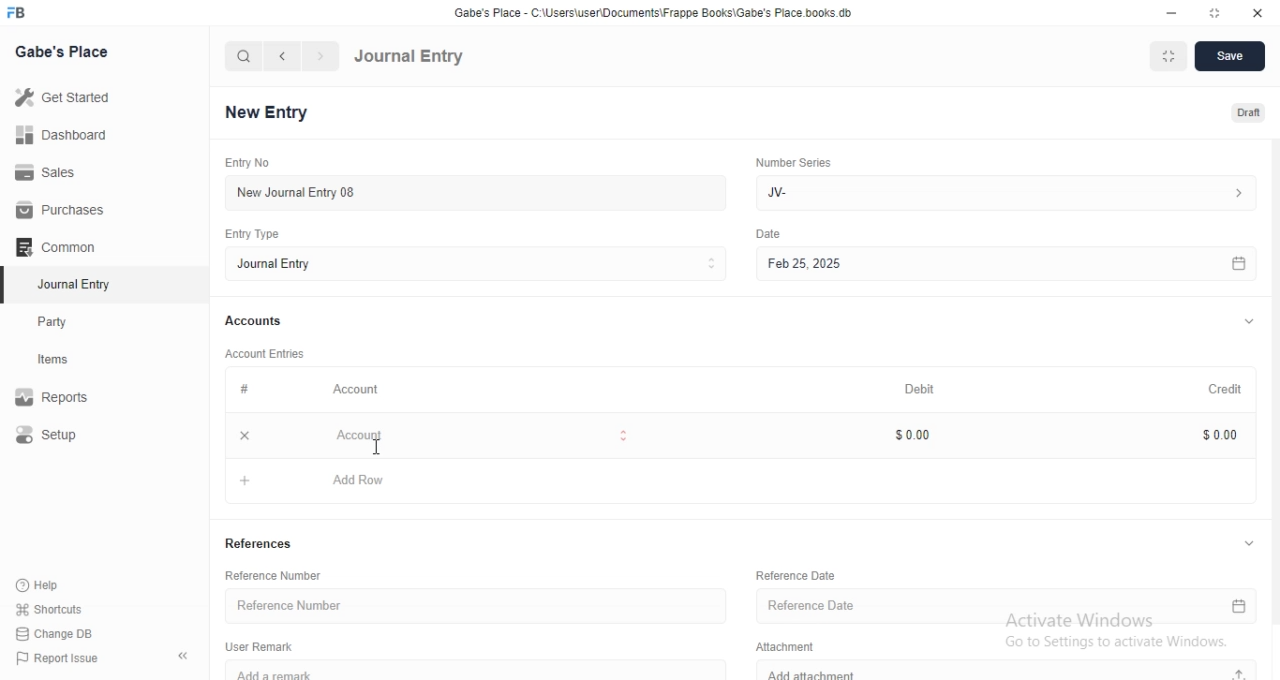 This screenshot has width=1280, height=680. Describe the element at coordinates (61, 138) in the screenshot. I see `Dashboard` at that location.